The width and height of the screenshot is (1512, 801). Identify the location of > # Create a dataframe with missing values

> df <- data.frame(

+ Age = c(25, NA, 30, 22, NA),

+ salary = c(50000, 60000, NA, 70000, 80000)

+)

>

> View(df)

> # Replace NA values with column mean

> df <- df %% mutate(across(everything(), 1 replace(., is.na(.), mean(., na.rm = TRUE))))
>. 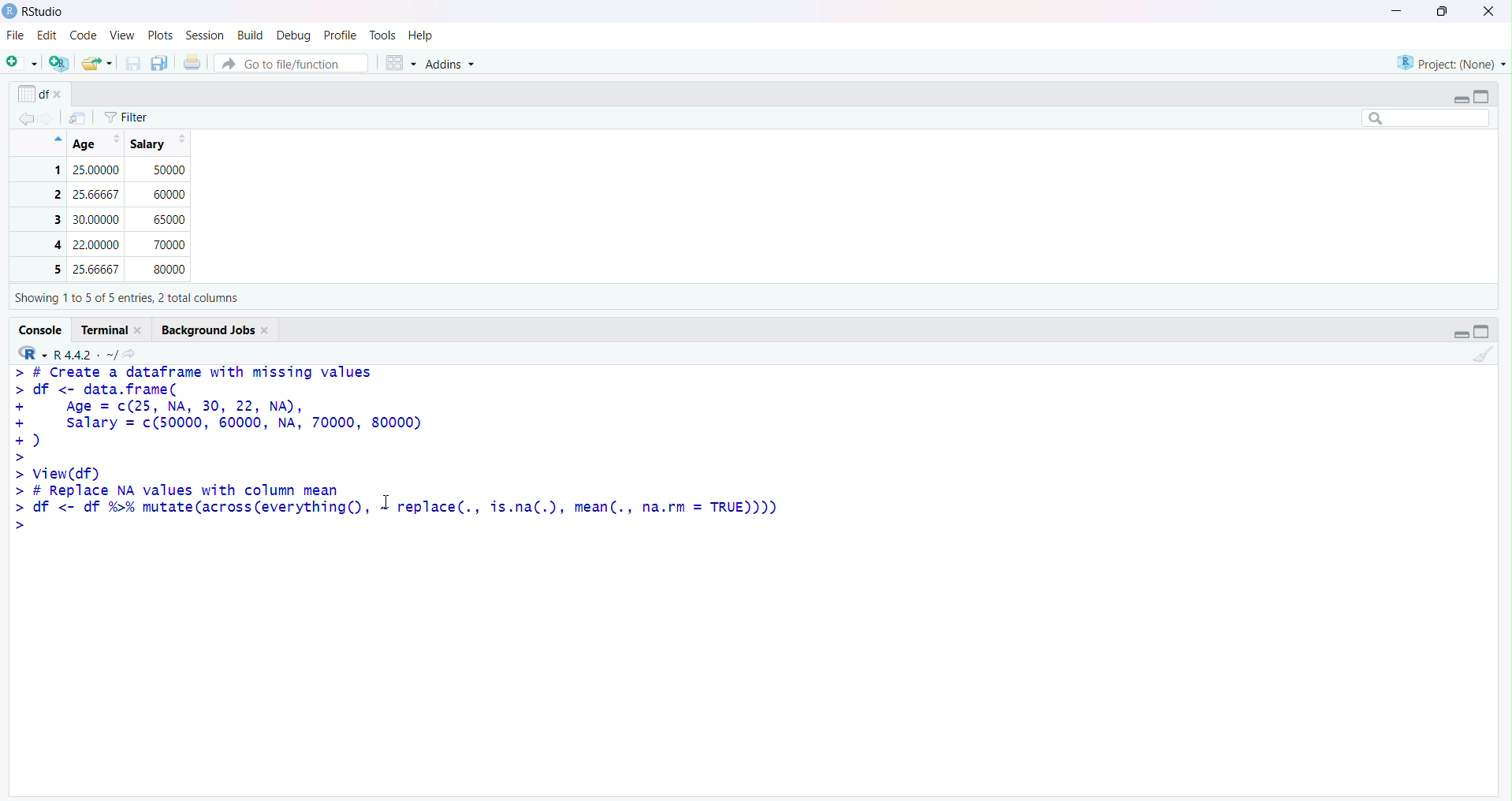
(415, 468).